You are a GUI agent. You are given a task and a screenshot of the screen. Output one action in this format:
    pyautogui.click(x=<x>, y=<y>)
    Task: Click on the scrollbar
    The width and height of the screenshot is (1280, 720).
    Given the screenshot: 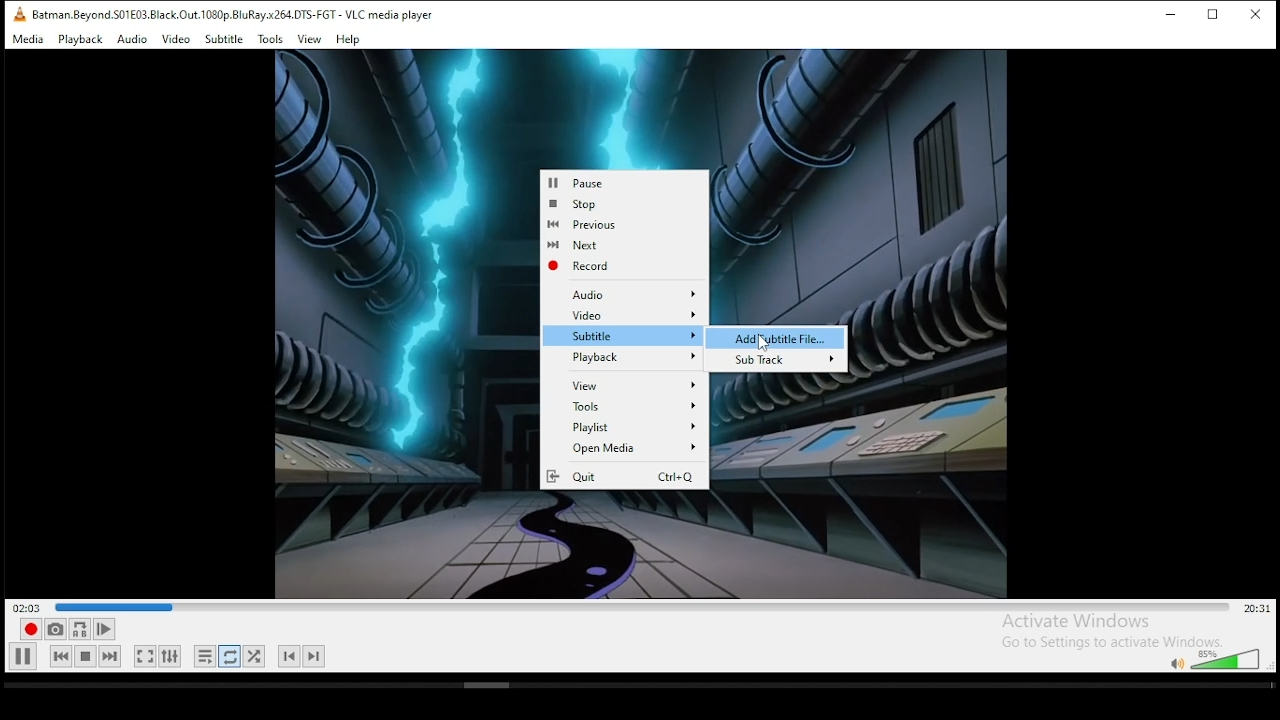 What is the action you would take?
    pyautogui.click(x=637, y=687)
    